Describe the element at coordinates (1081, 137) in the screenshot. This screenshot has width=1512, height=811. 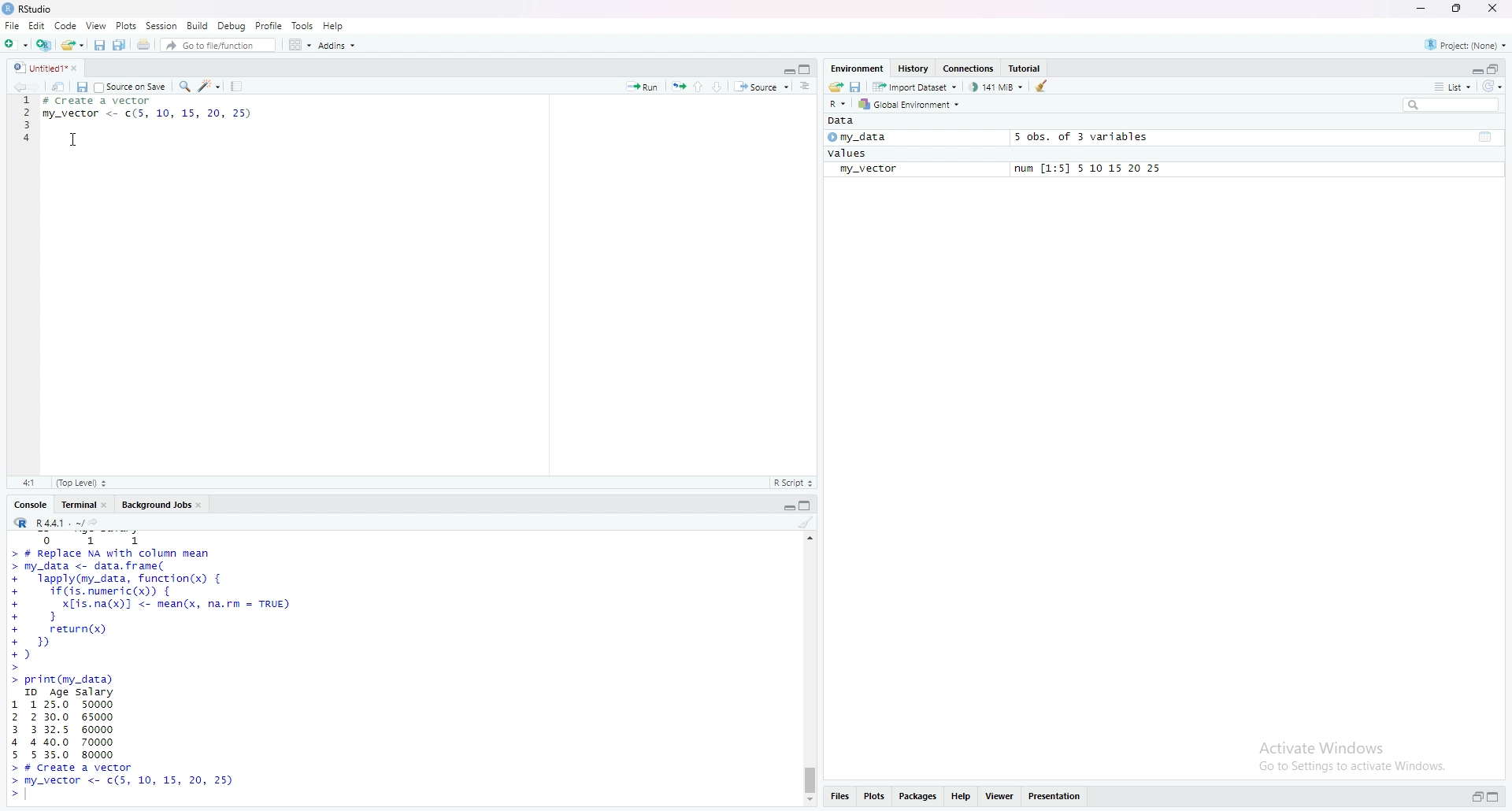
I see `5 obs. of 3 variables` at that location.